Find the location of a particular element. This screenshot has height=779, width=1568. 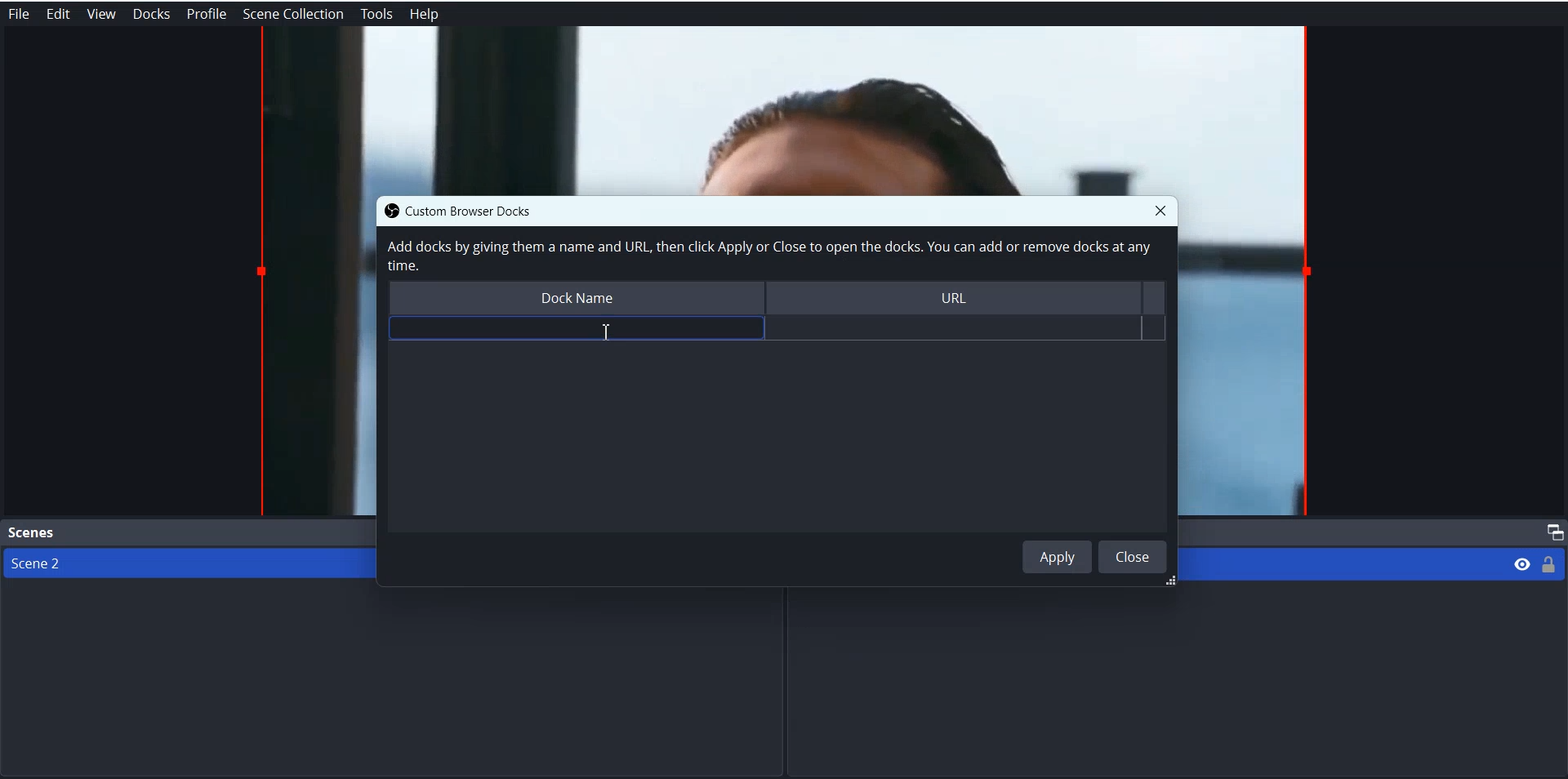

Edit is located at coordinates (57, 14).